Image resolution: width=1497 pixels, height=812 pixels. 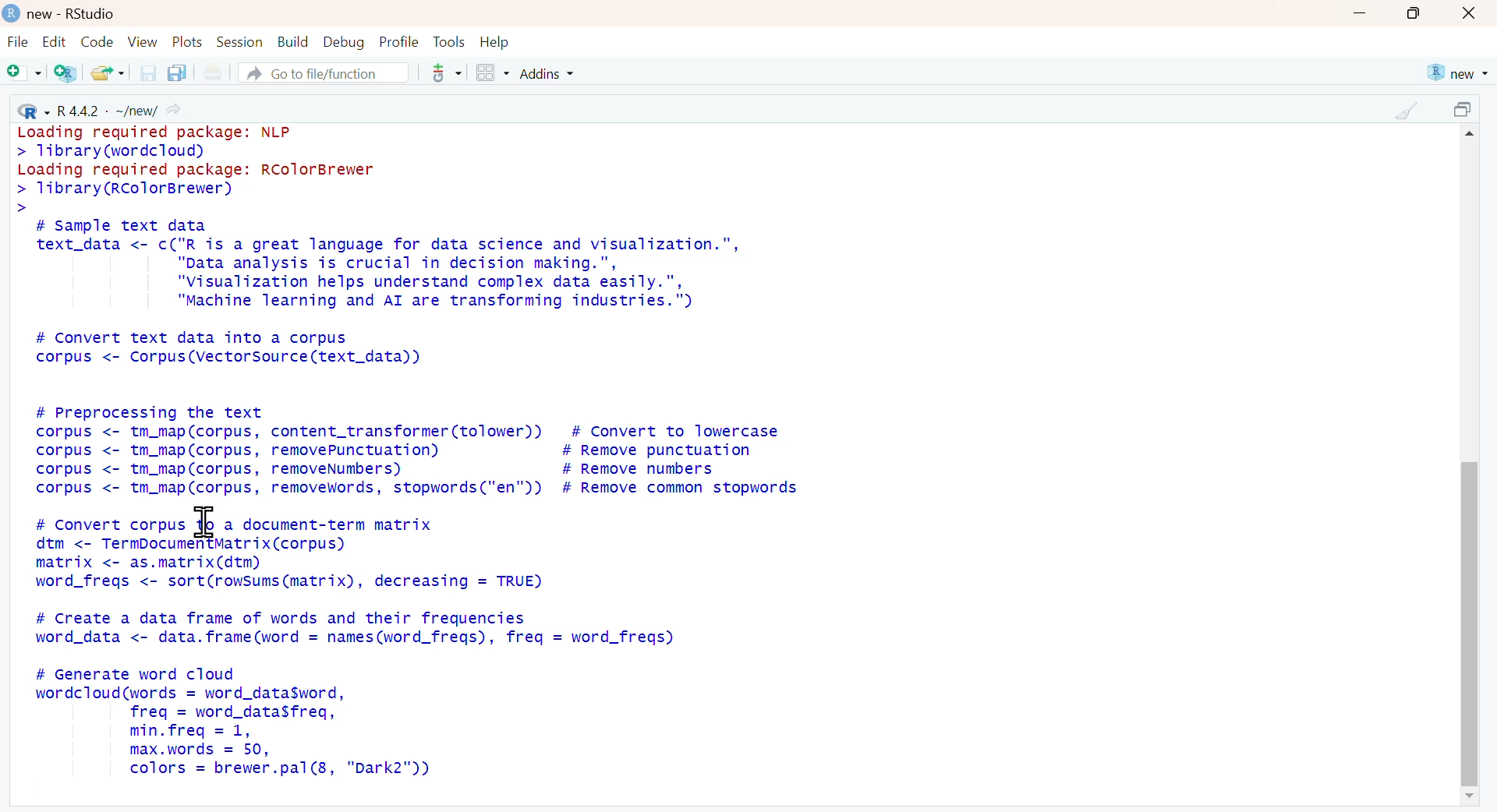 I want to click on close, so click(x=1469, y=14).